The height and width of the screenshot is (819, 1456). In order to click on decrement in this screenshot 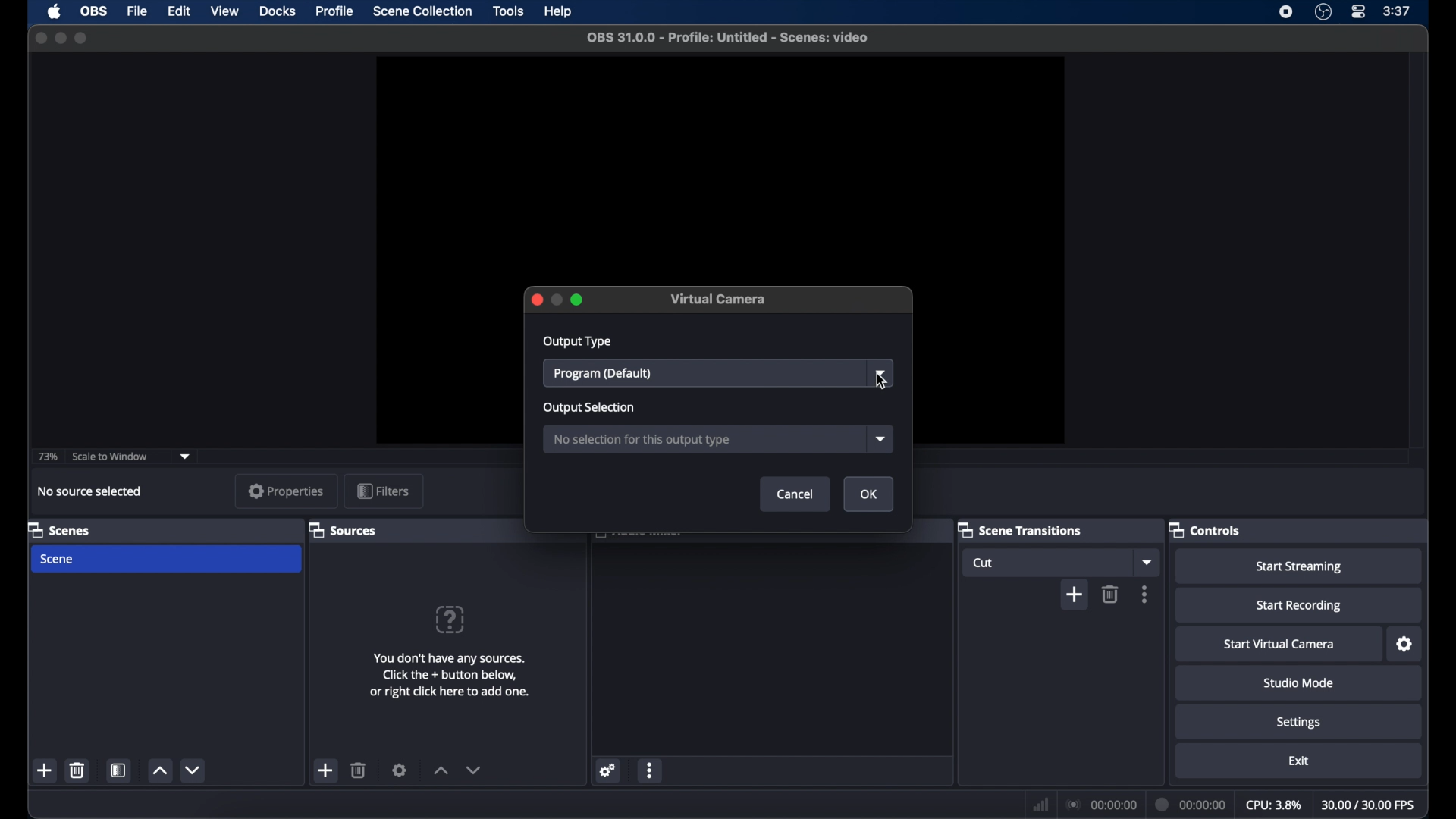, I will do `click(192, 770)`.